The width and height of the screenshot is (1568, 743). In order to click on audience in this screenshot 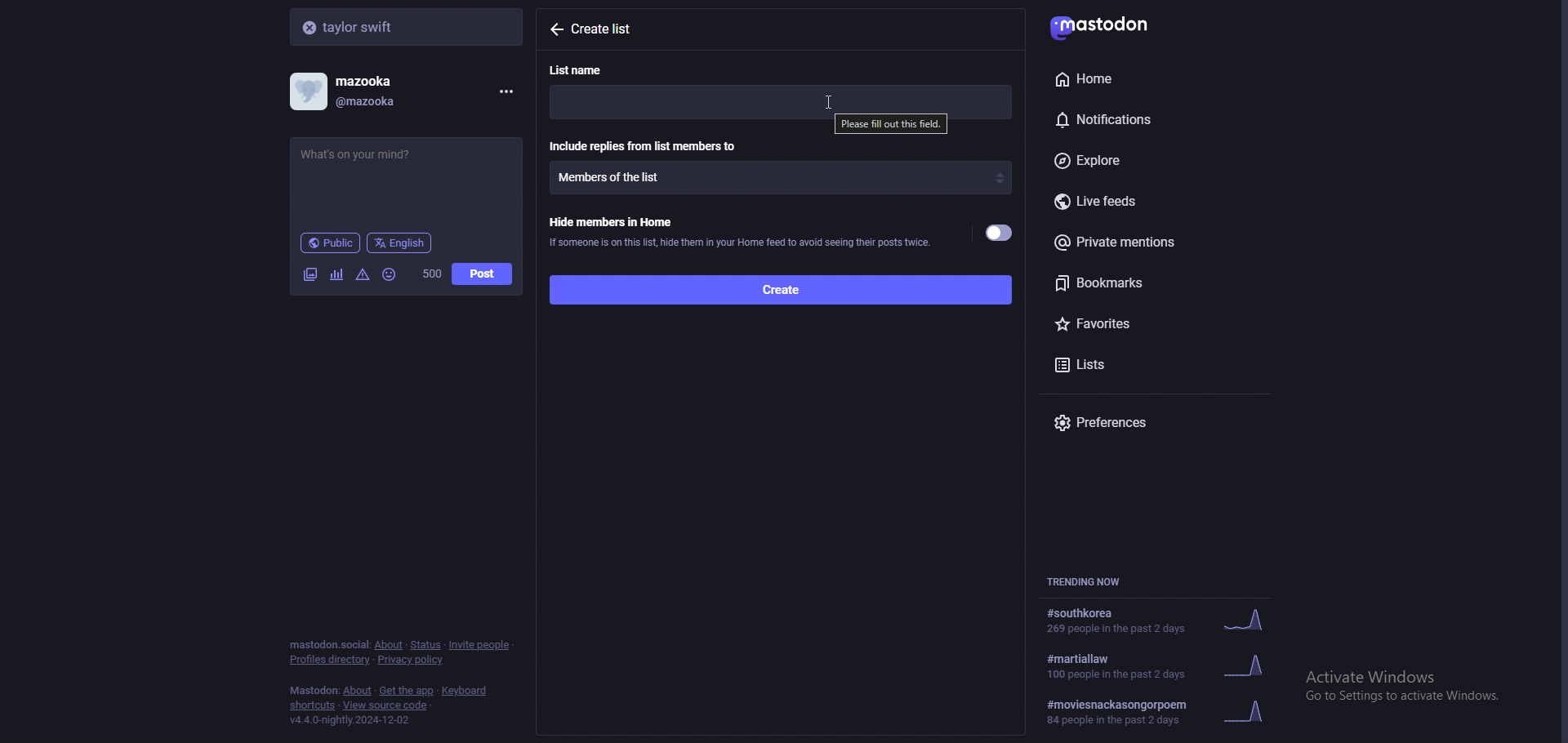, I will do `click(330, 242)`.